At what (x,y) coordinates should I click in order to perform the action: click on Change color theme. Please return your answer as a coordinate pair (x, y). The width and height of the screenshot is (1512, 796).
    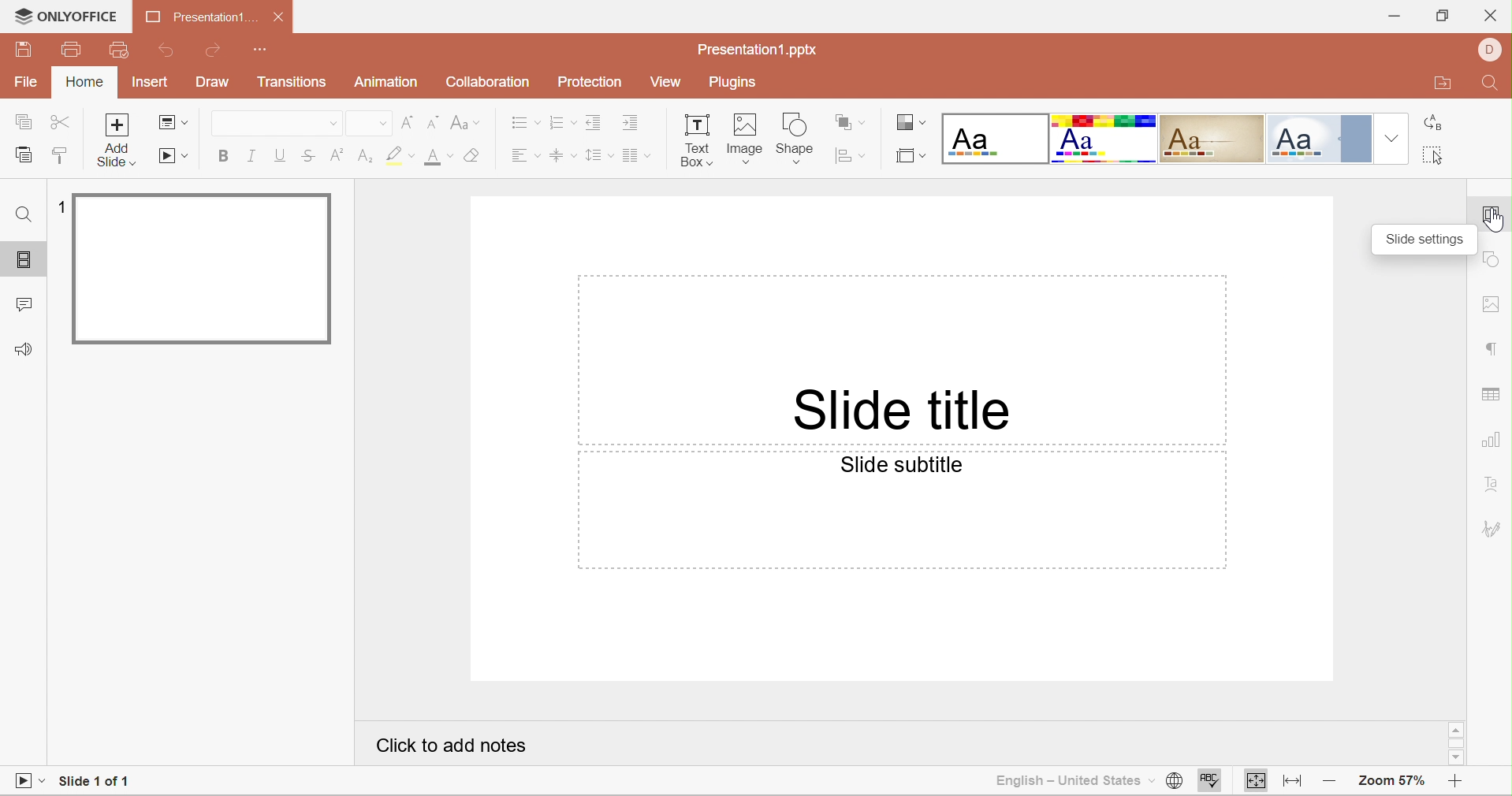
    Looking at the image, I should click on (911, 122).